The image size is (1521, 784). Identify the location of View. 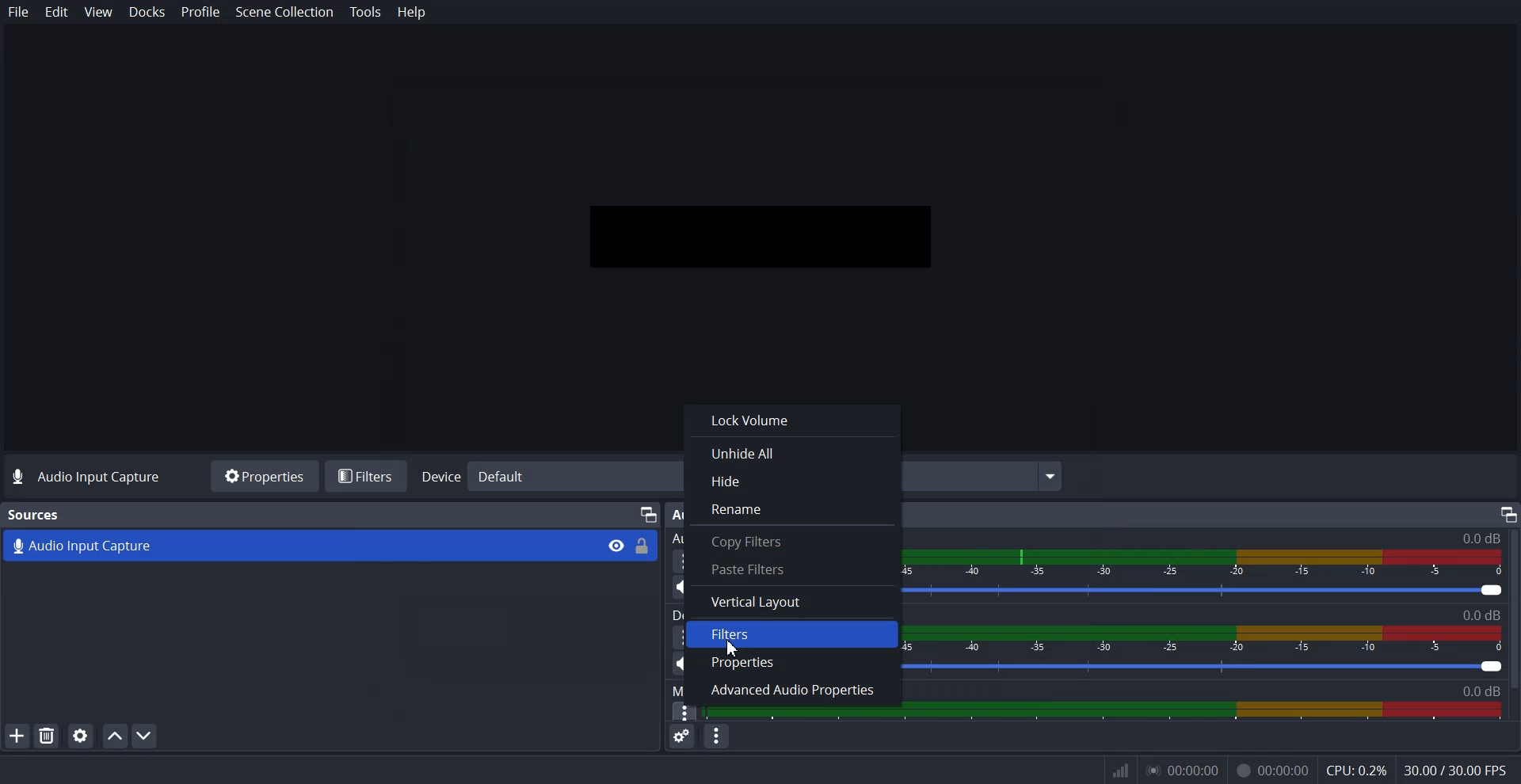
(97, 11).